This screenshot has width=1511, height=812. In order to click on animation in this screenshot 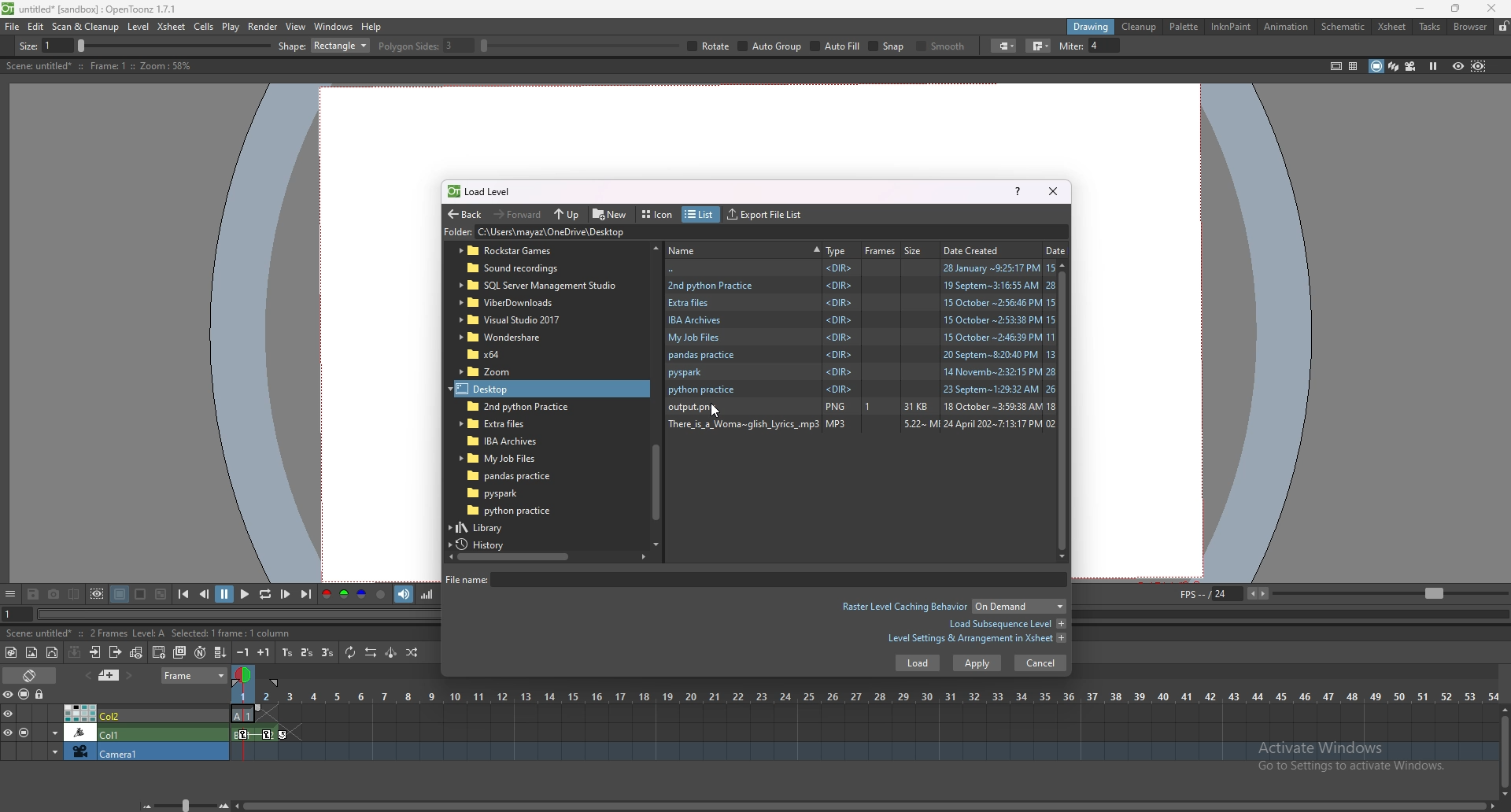, I will do `click(1287, 27)`.